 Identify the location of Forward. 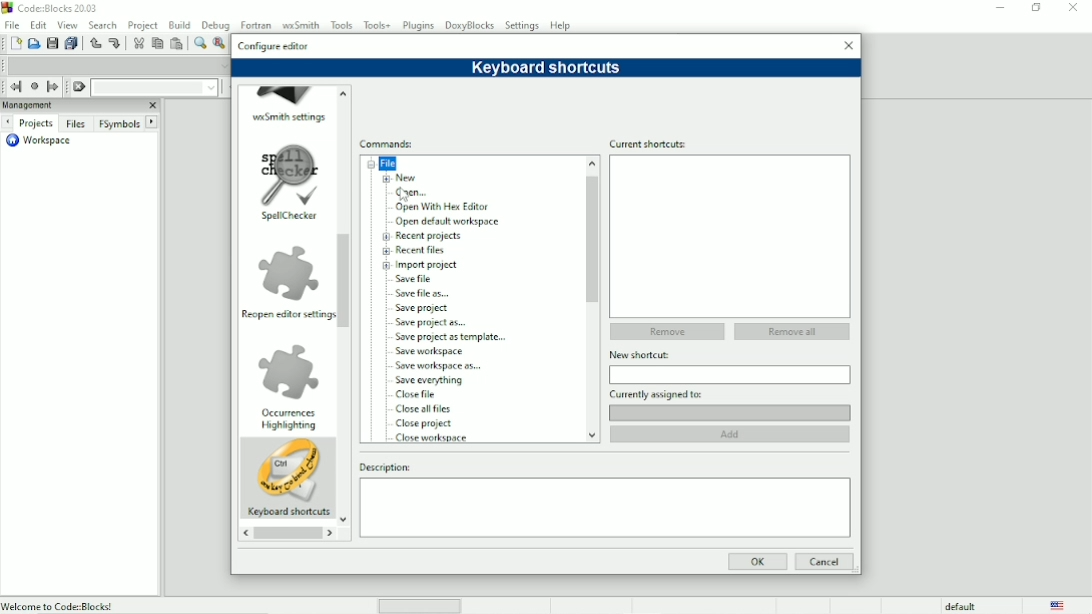
(333, 534).